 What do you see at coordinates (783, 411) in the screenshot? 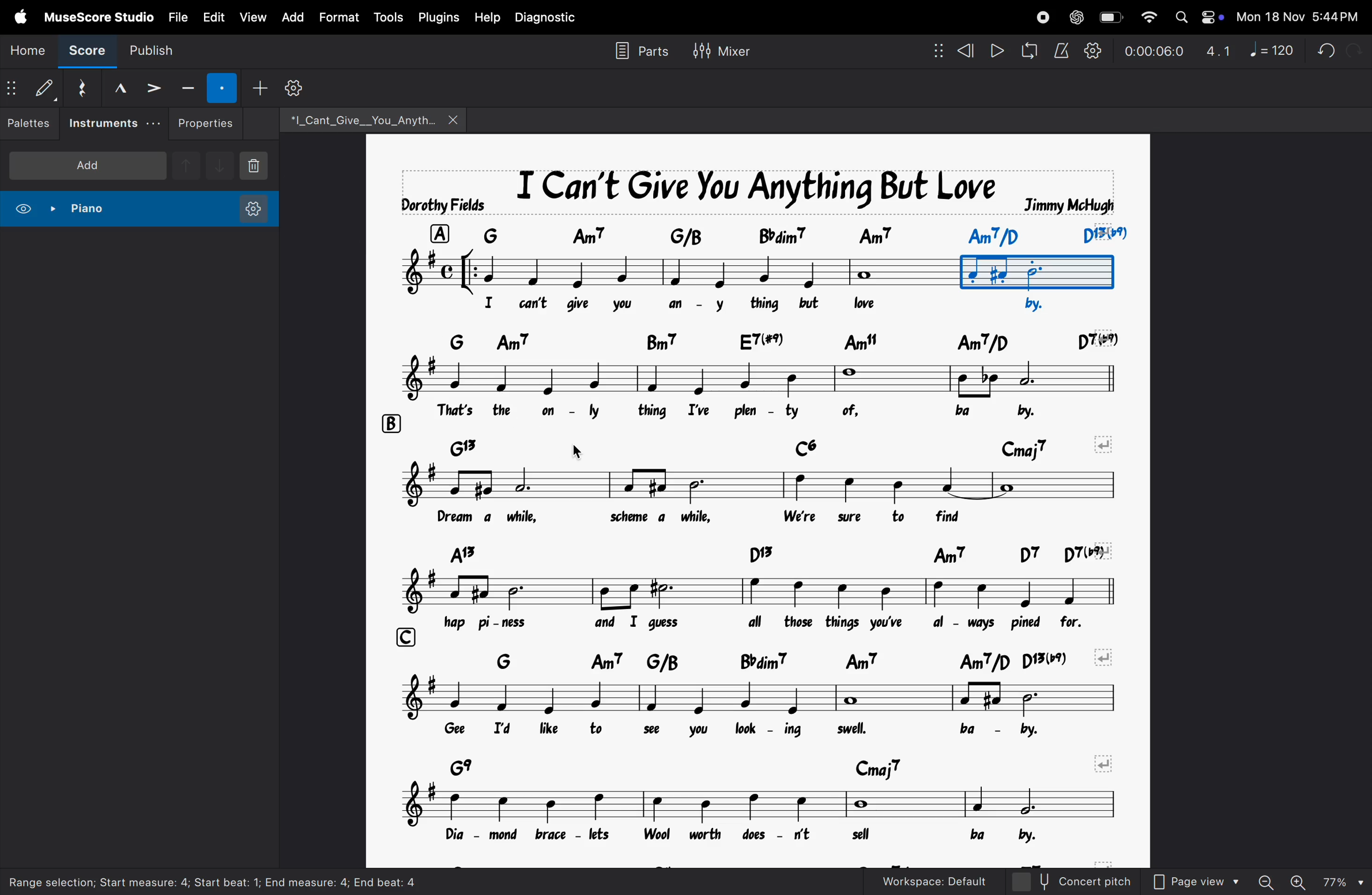
I see `lyrics` at bounding box center [783, 411].